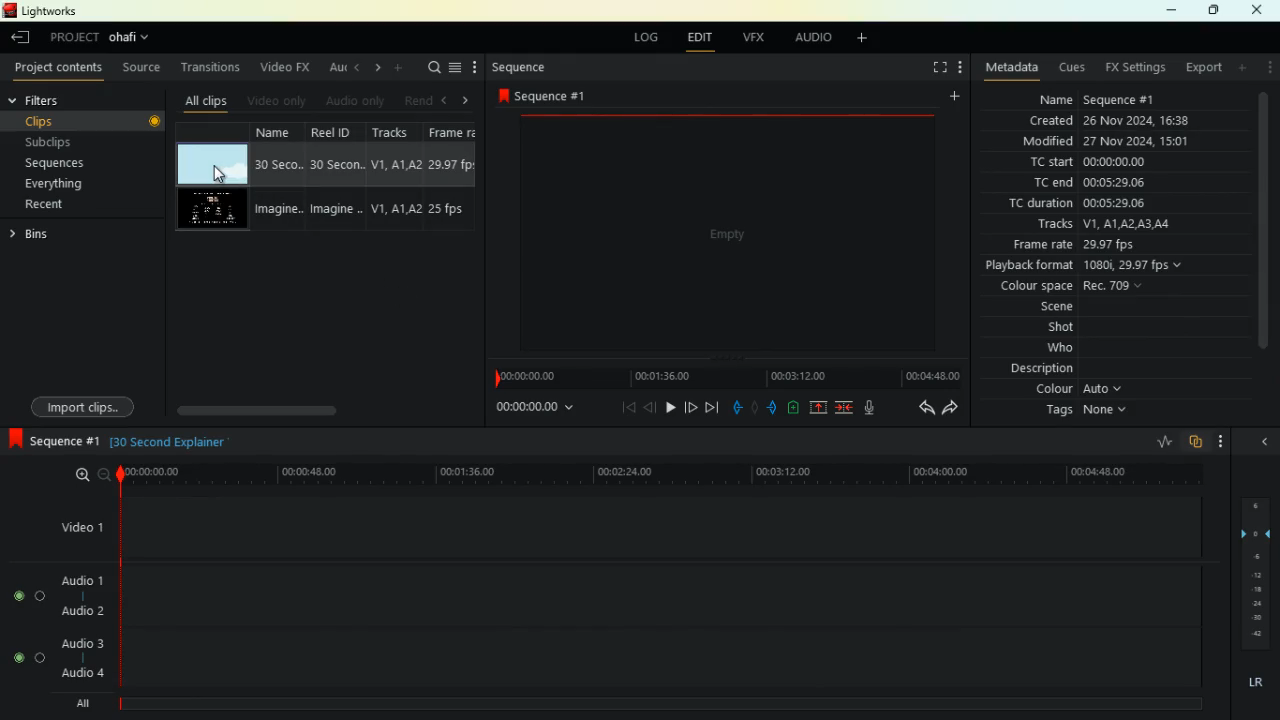 The height and width of the screenshot is (720, 1280). Describe the element at coordinates (356, 68) in the screenshot. I see `left` at that location.